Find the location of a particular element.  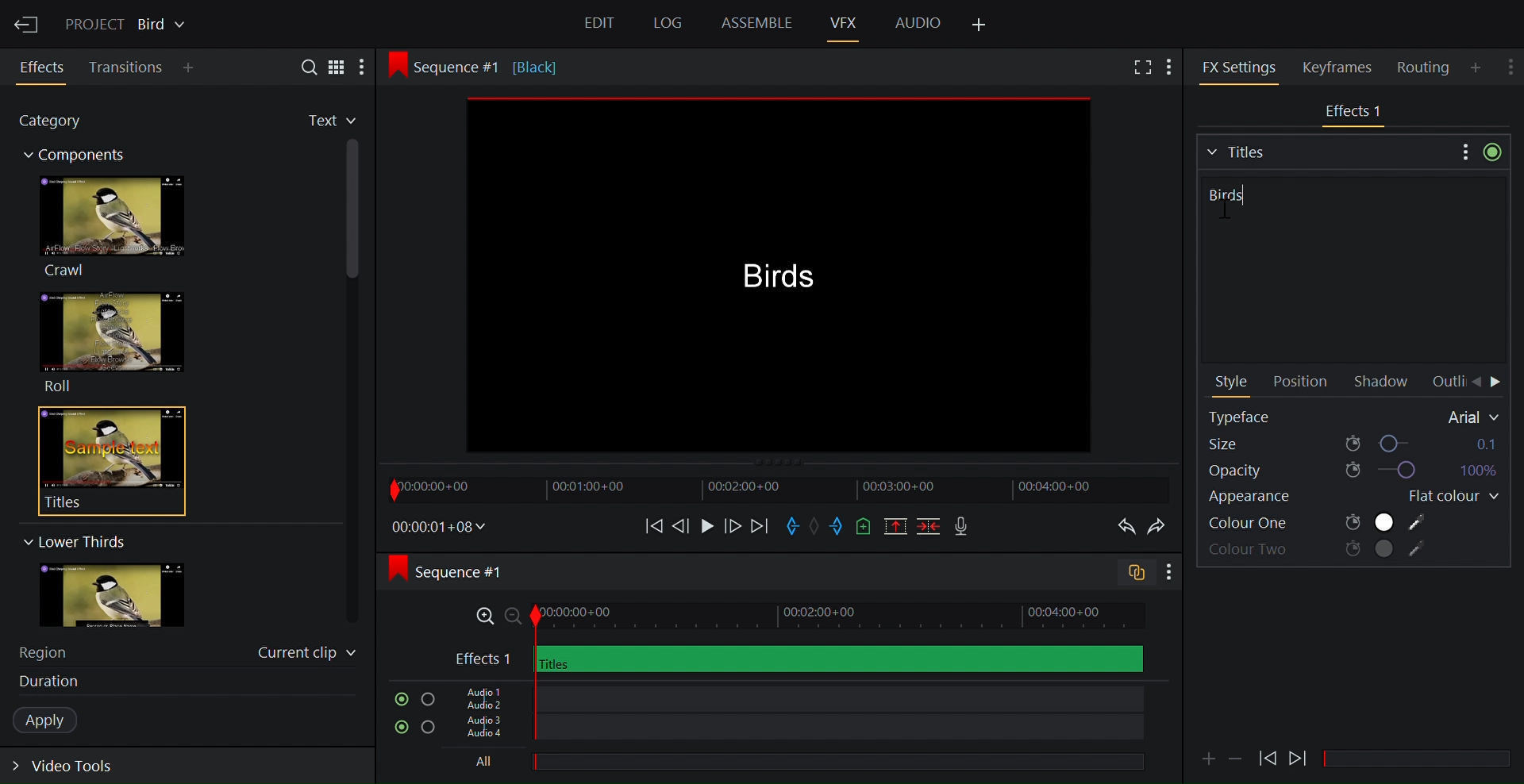

Add Panel is located at coordinates (980, 25).